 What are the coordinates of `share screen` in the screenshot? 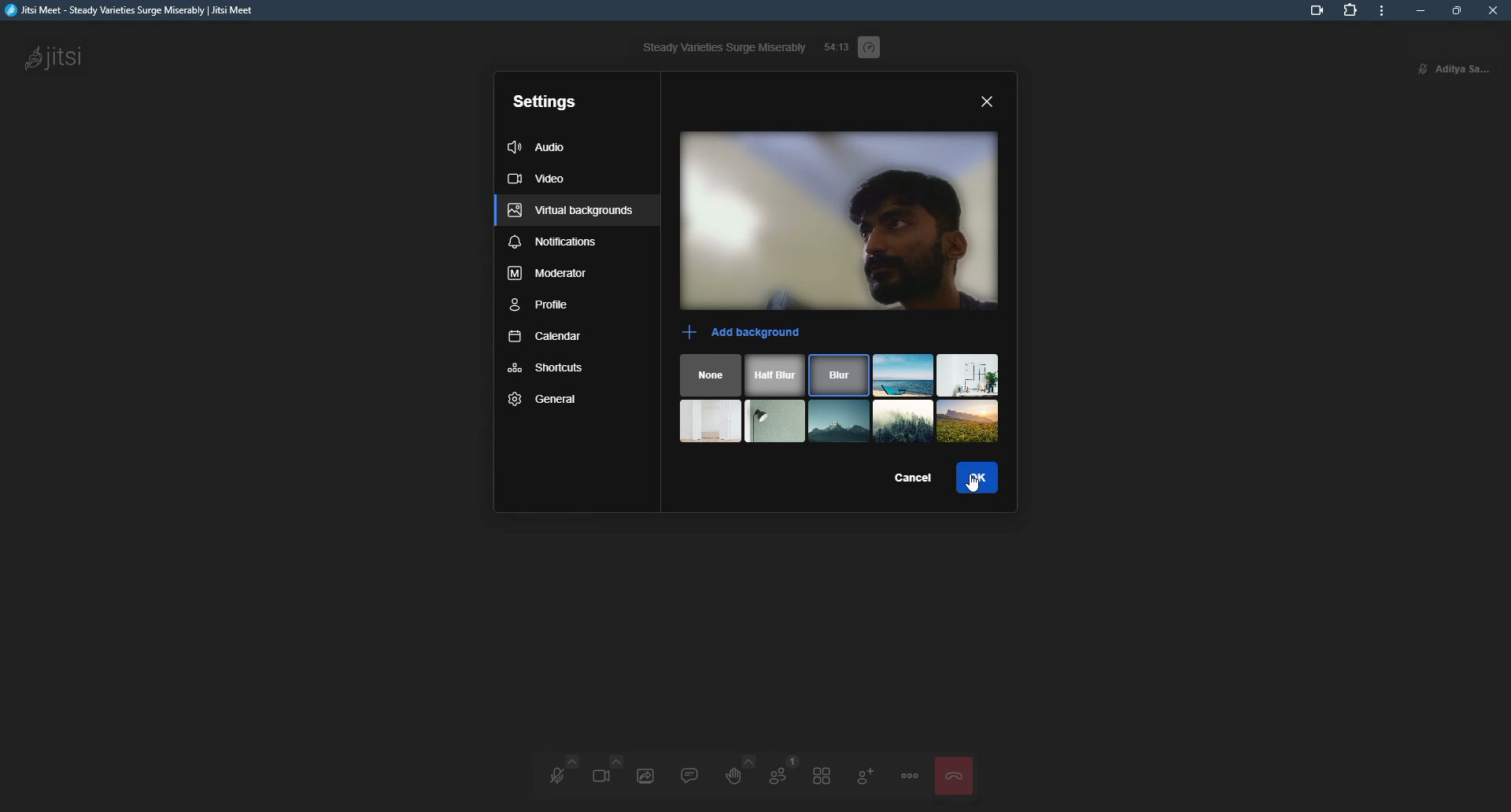 It's located at (645, 775).